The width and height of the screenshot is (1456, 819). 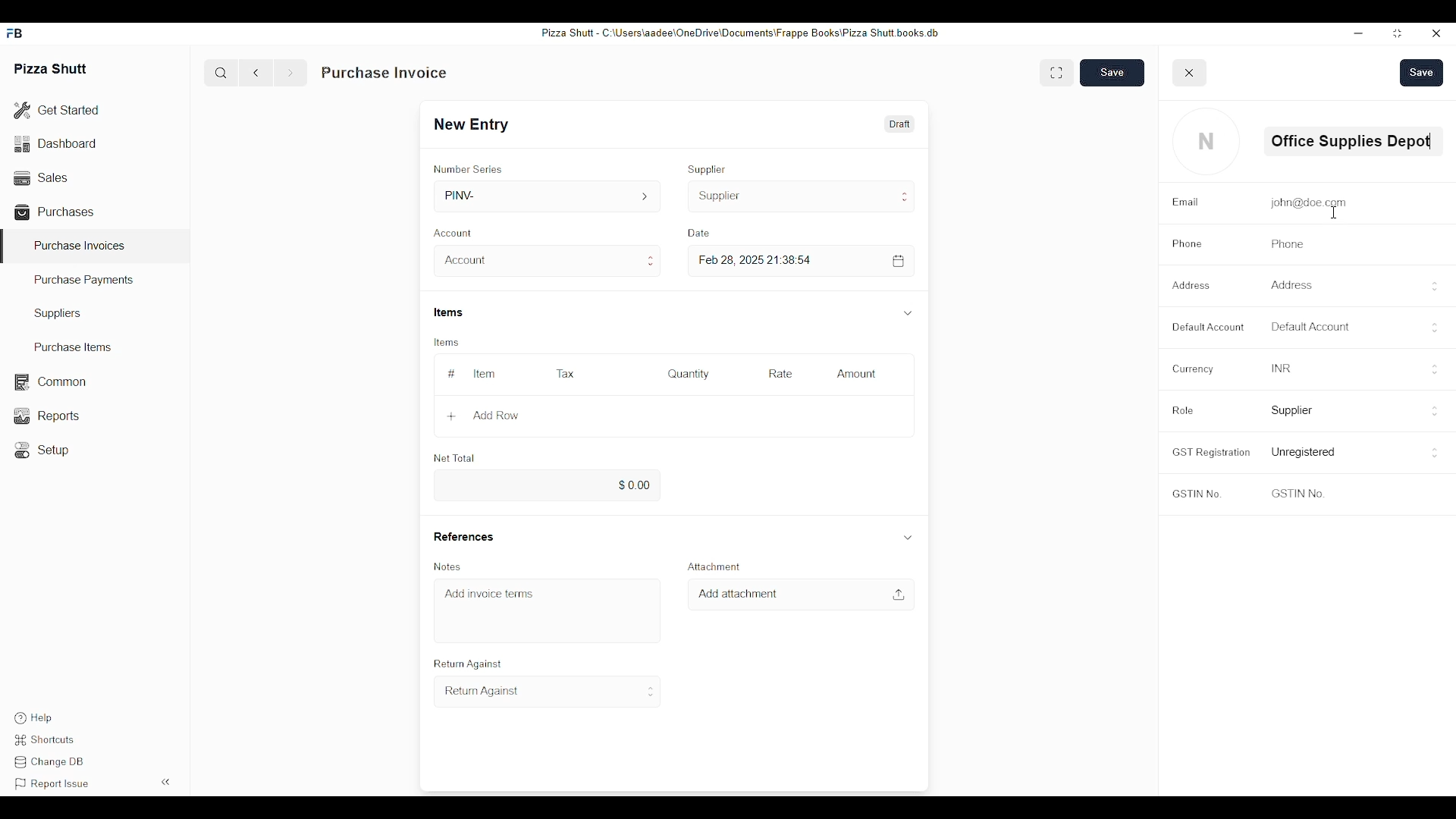 What do you see at coordinates (758, 260) in the screenshot?
I see `Feb 28, 2025 21:38:54` at bounding box center [758, 260].